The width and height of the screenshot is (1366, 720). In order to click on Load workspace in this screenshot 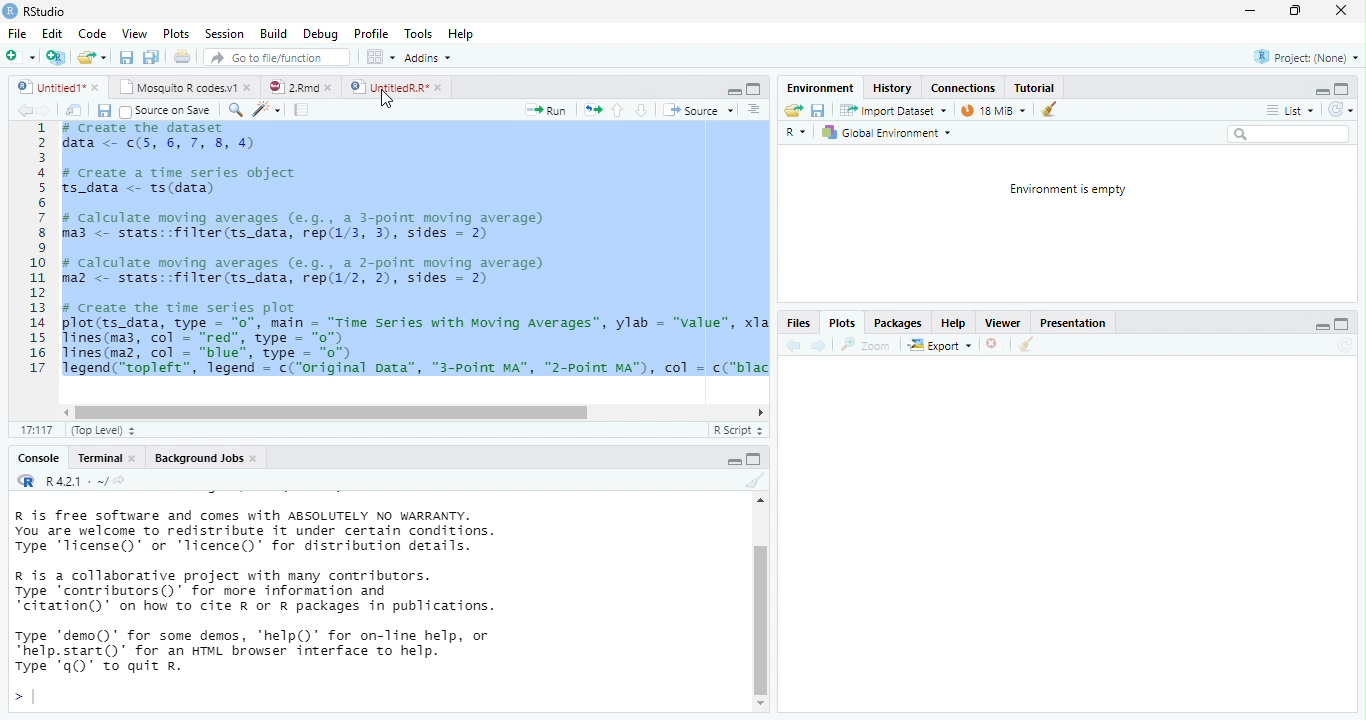, I will do `click(793, 111)`.